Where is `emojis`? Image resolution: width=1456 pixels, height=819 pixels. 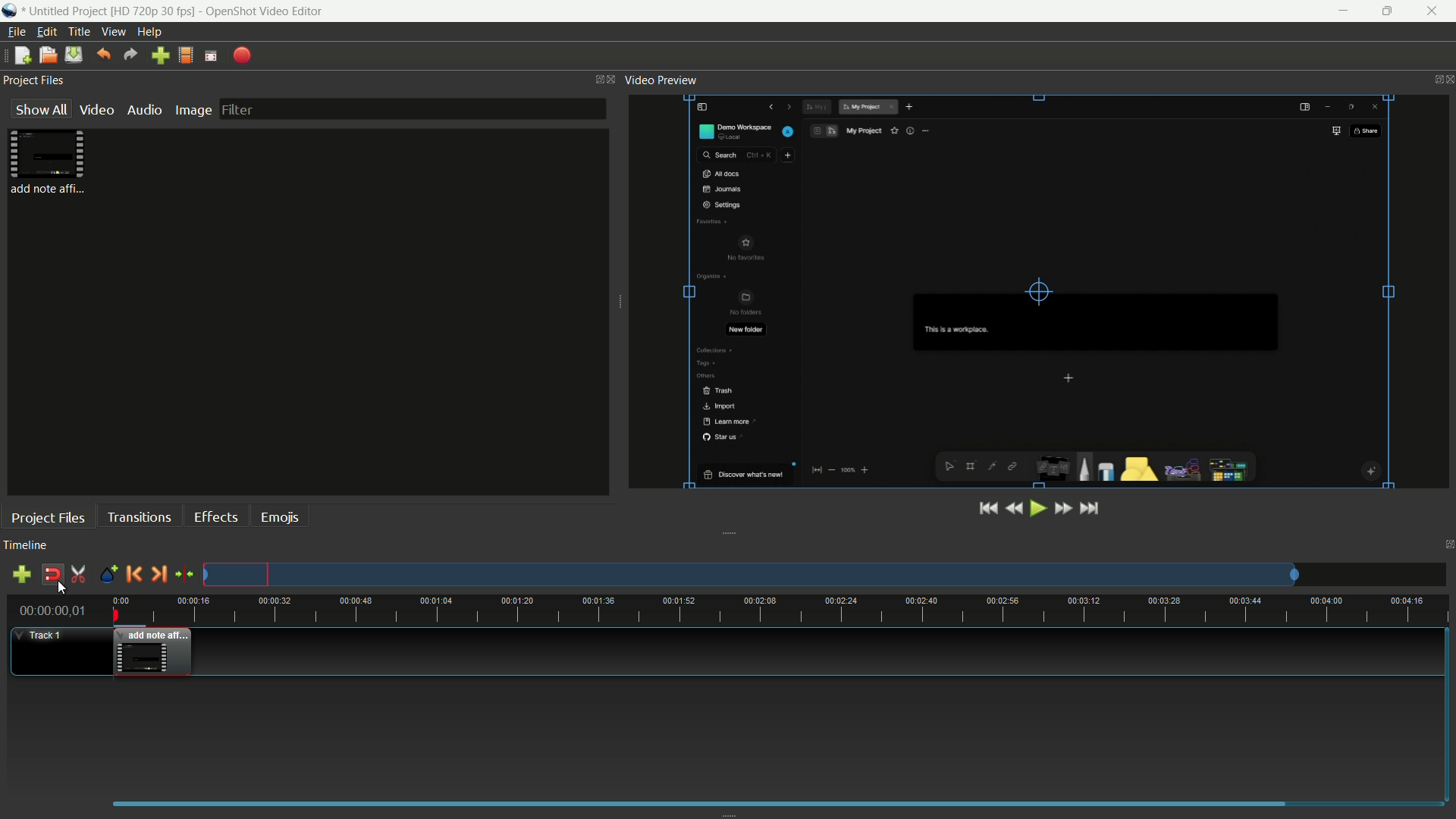 emojis is located at coordinates (279, 518).